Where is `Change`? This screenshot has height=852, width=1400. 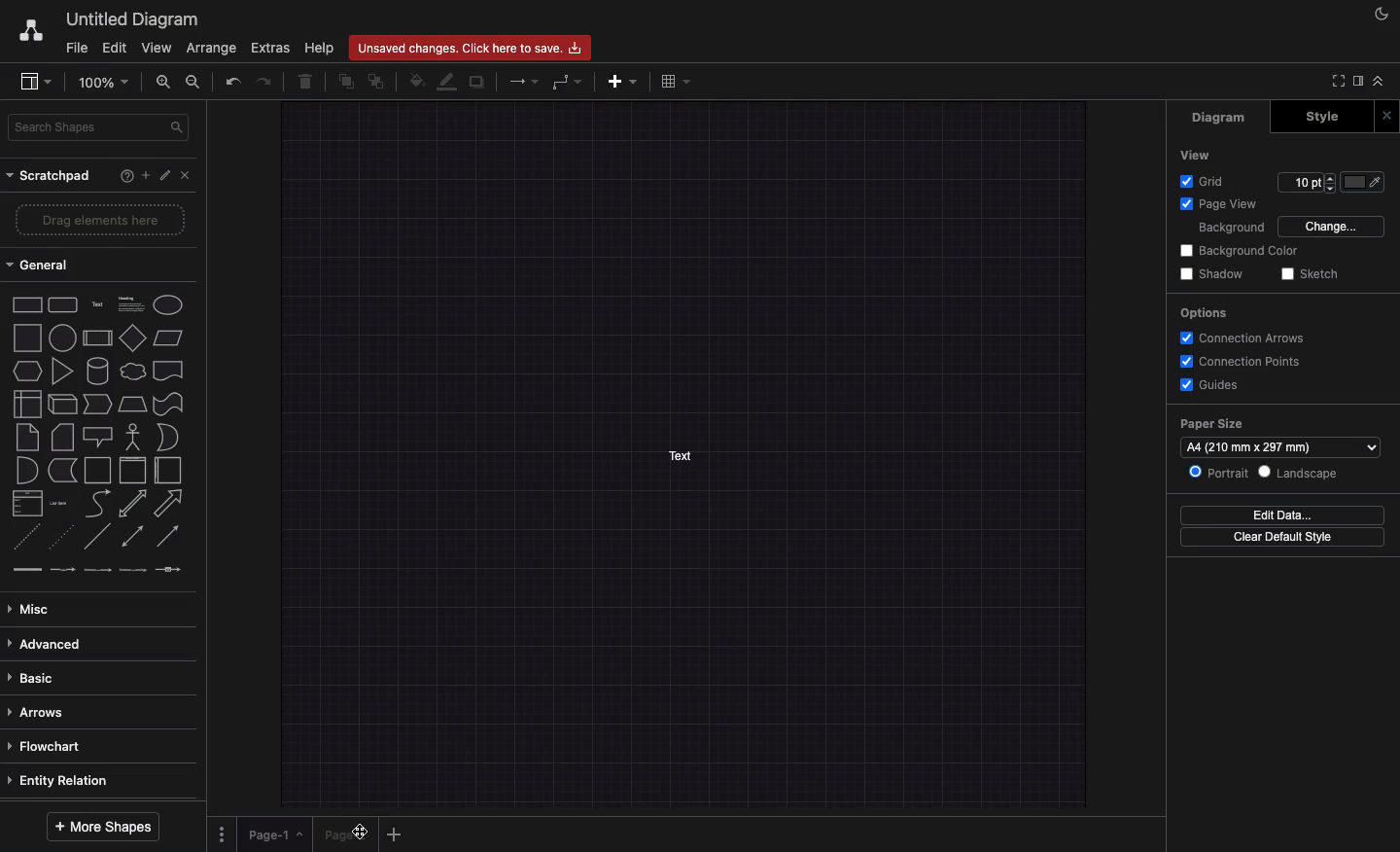
Change is located at coordinates (1333, 226).